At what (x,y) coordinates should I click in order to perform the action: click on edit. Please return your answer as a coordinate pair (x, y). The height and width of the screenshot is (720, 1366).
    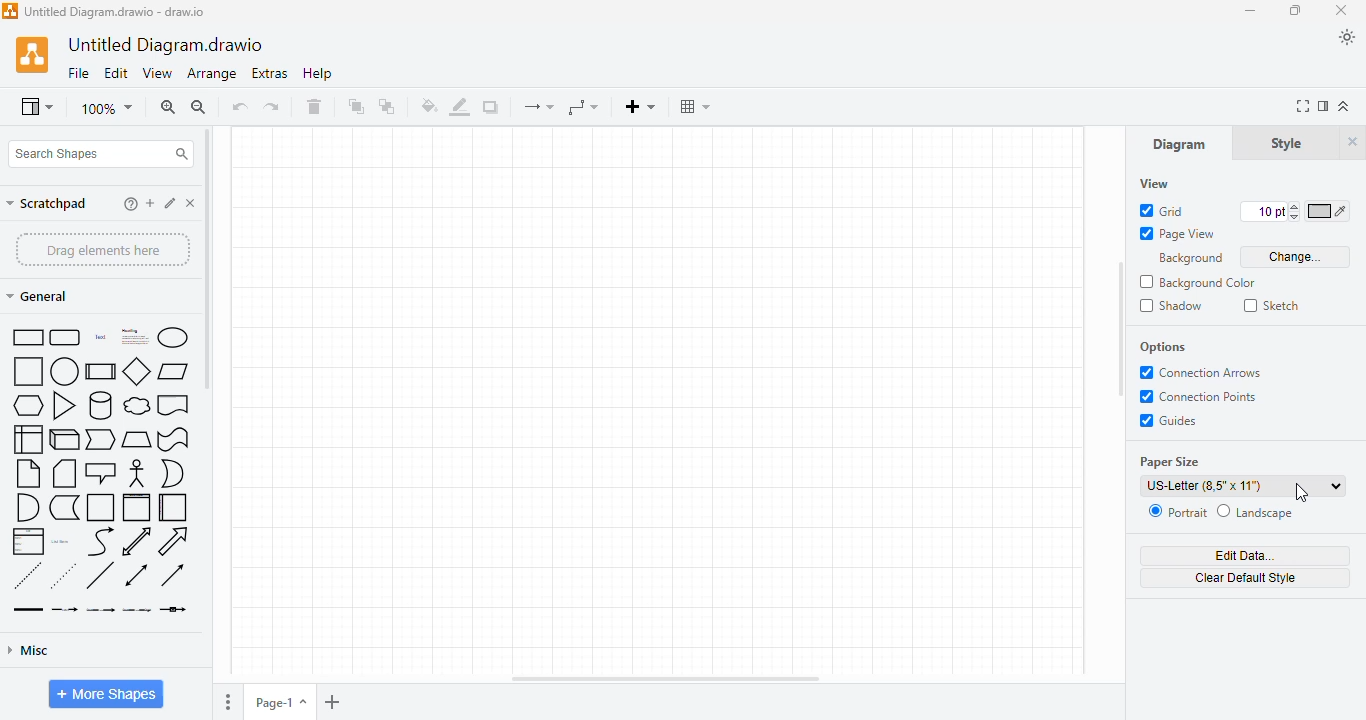
    Looking at the image, I should click on (171, 203).